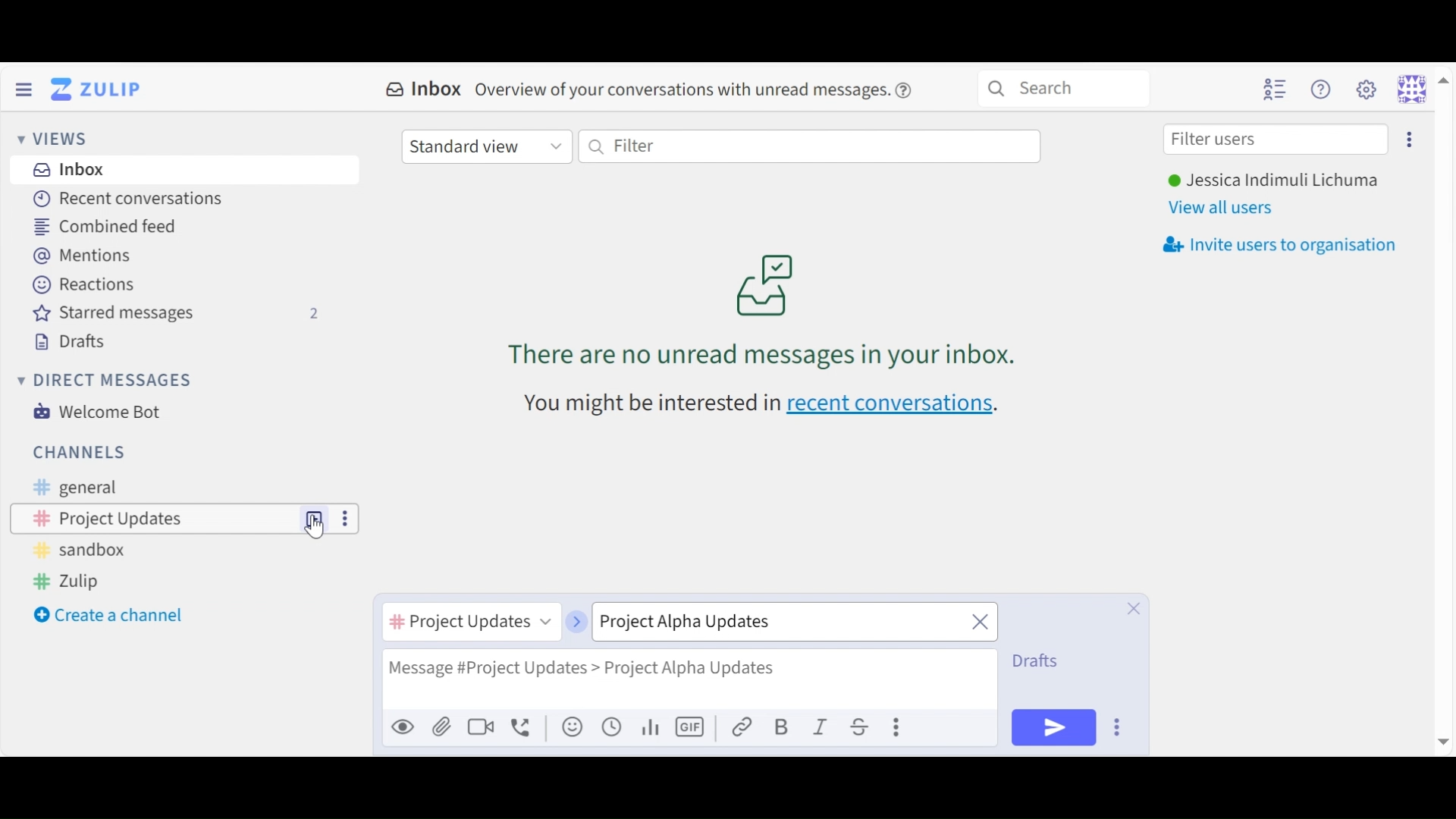 The width and height of the screenshot is (1456, 819). I want to click on close, so click(981, 620).